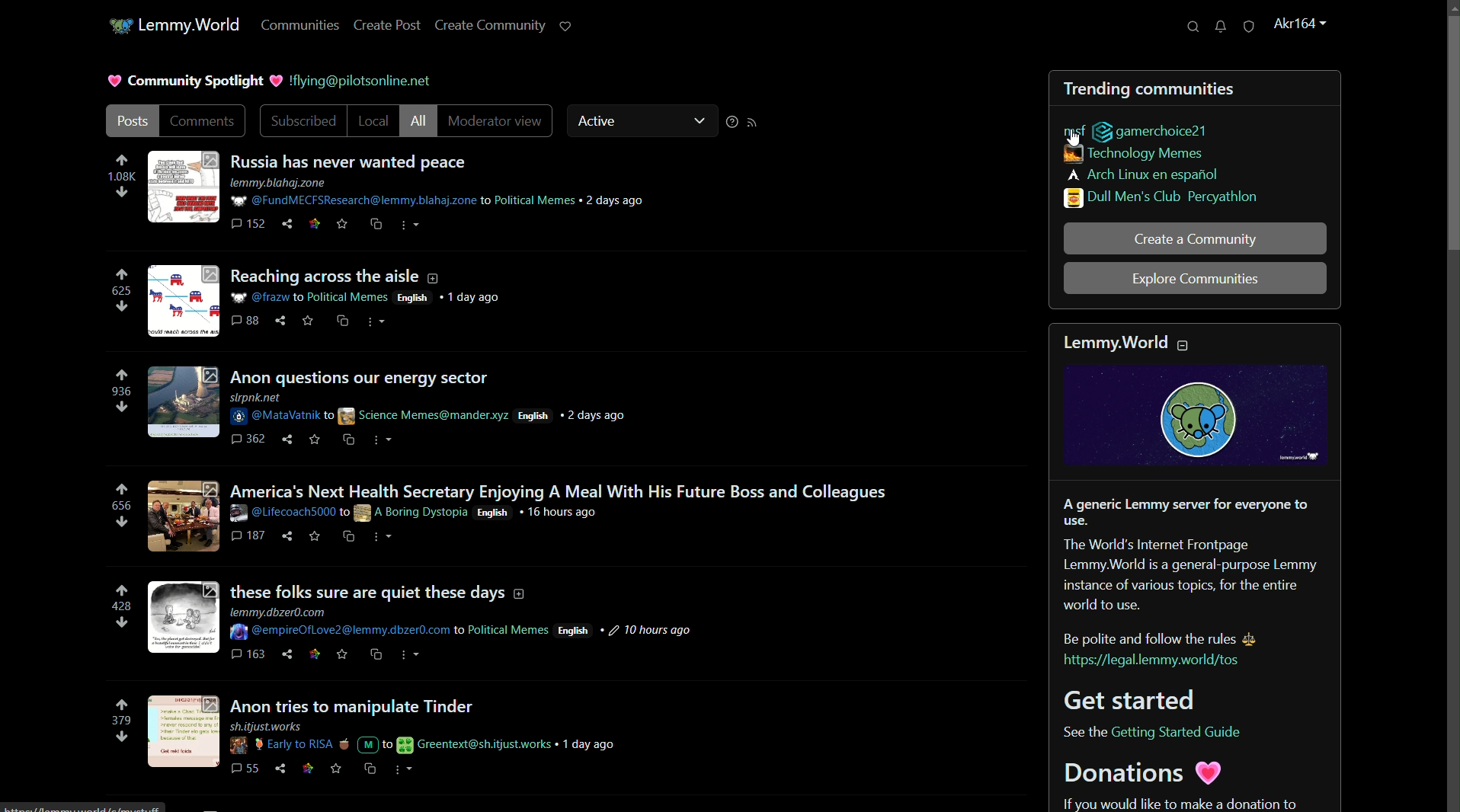  What do you see at coordinates (284, 222) in the screenshot?
I see `share` at bounding box center [284, 222].